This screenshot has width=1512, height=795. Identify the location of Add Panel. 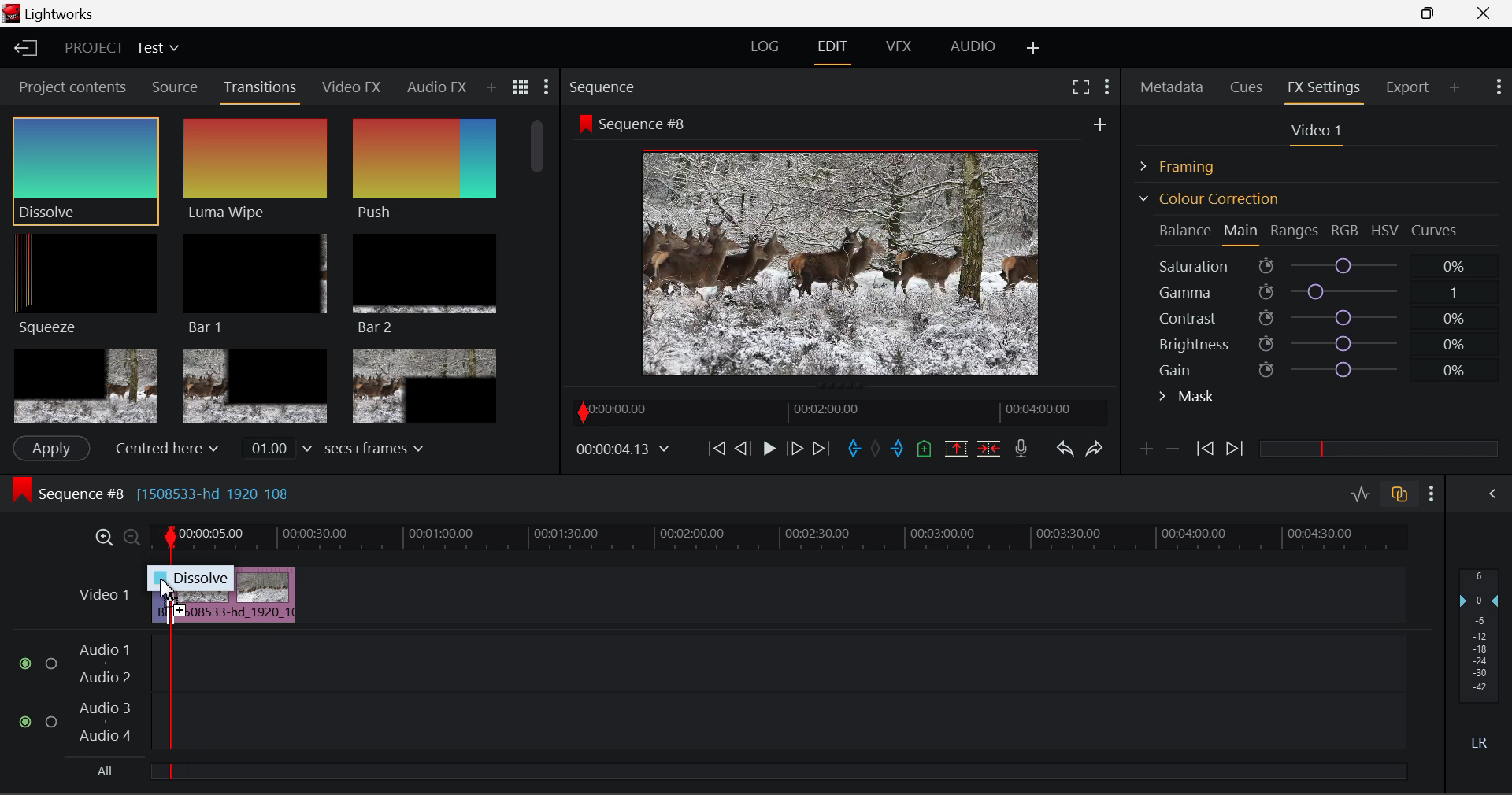
(1455, 87).